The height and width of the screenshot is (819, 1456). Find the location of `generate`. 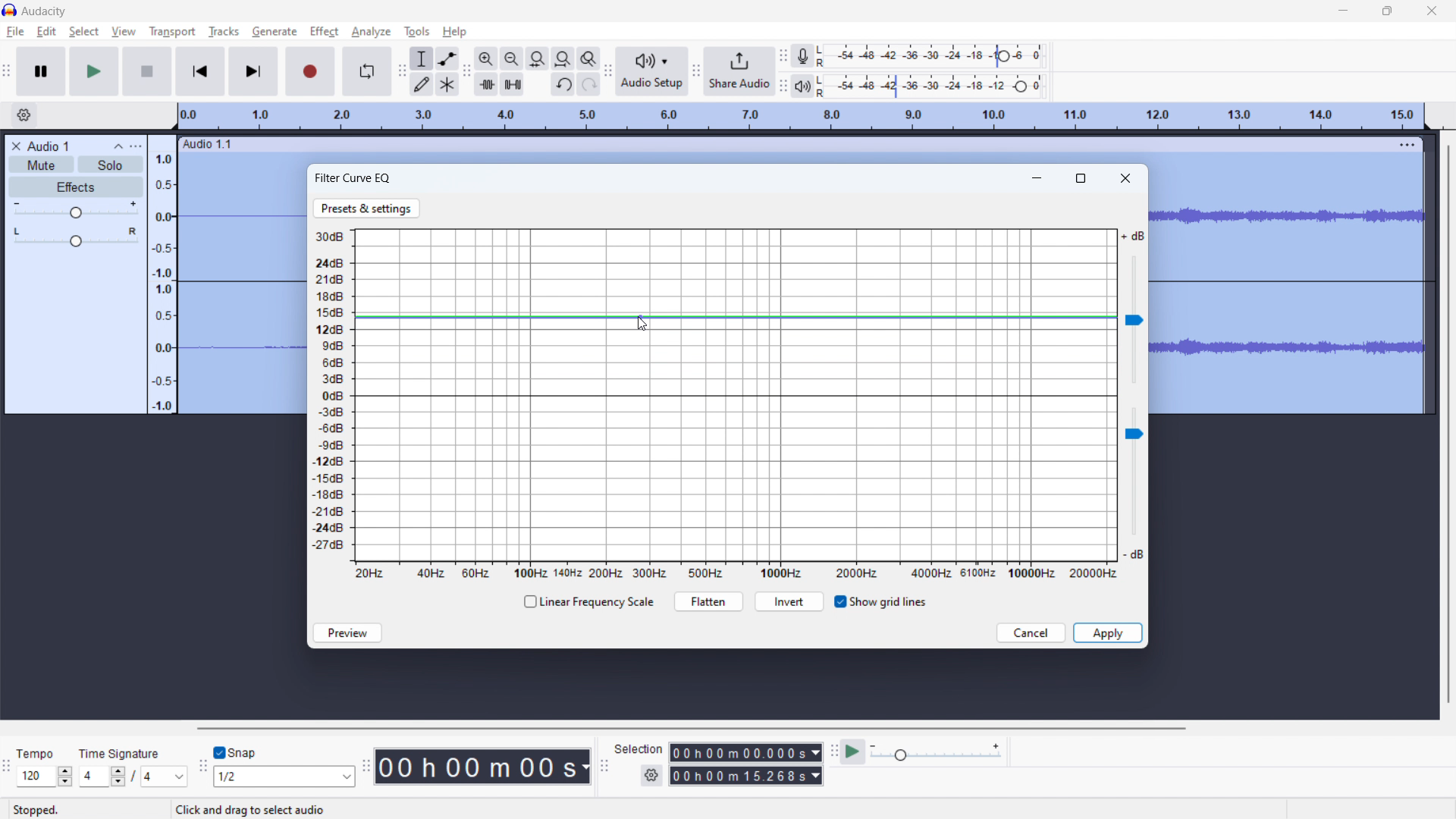

generate is located at coordinates (275, 31).